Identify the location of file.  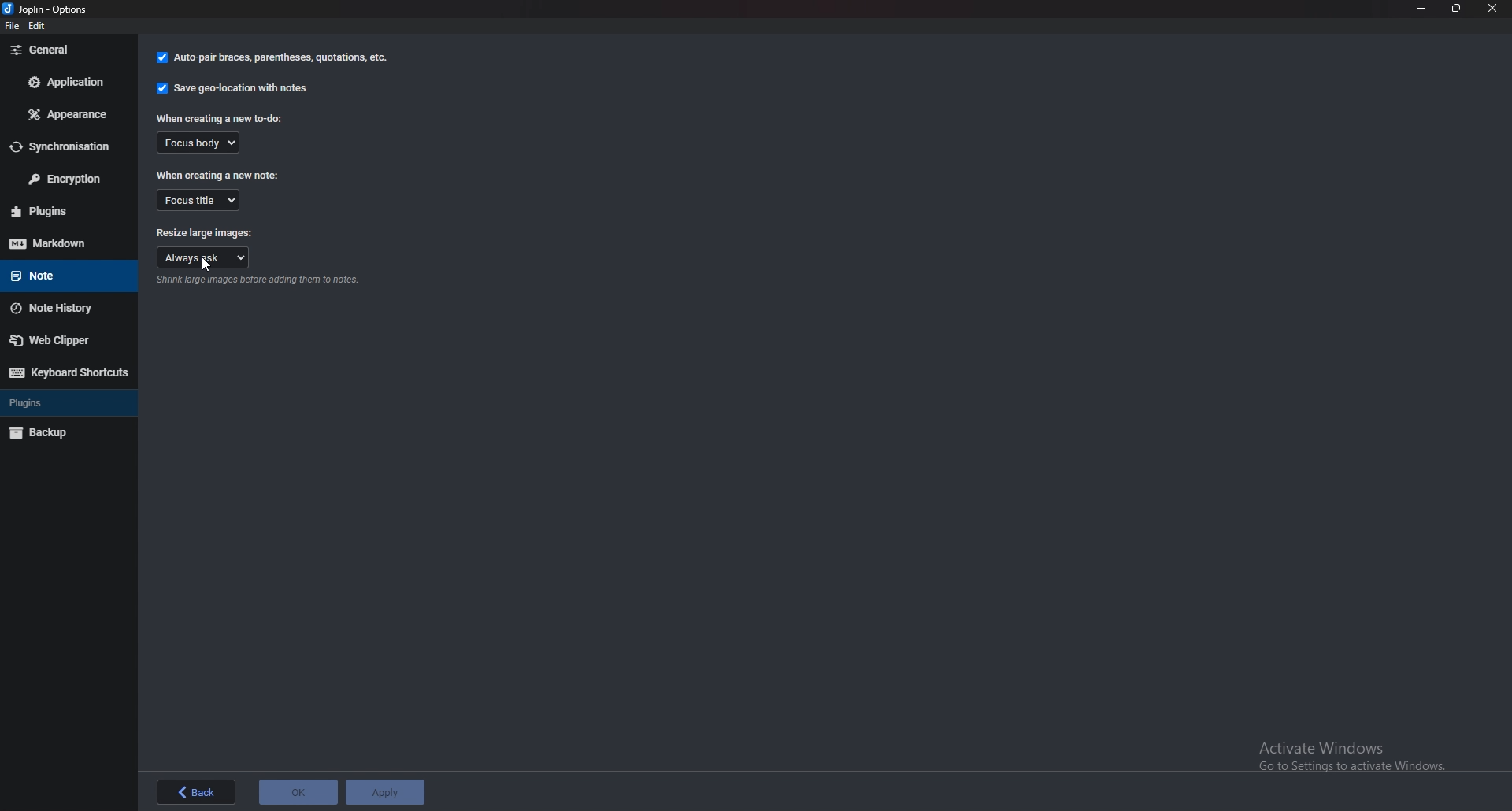
(15, 29).